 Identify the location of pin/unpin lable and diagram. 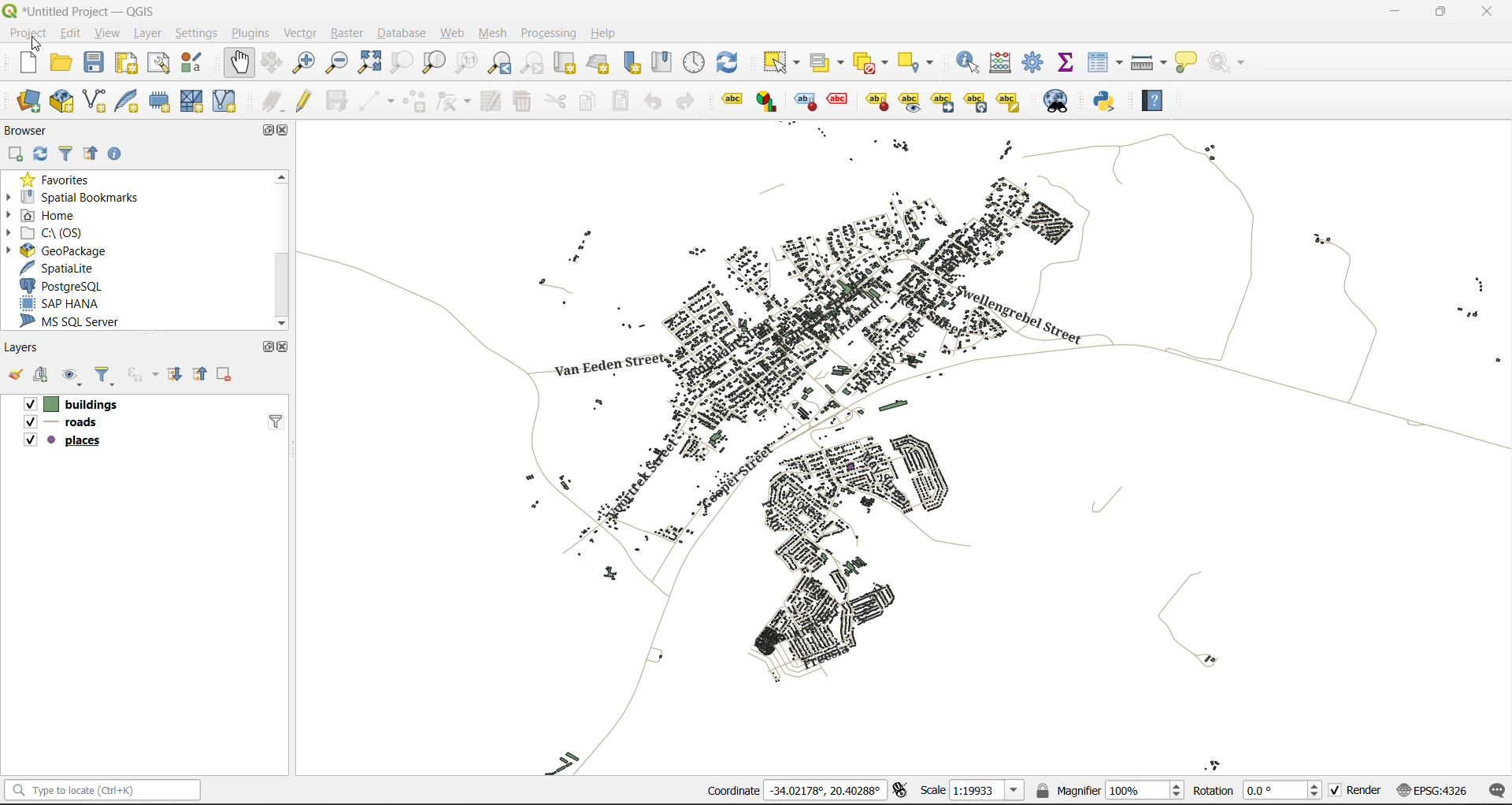
(840, 101).